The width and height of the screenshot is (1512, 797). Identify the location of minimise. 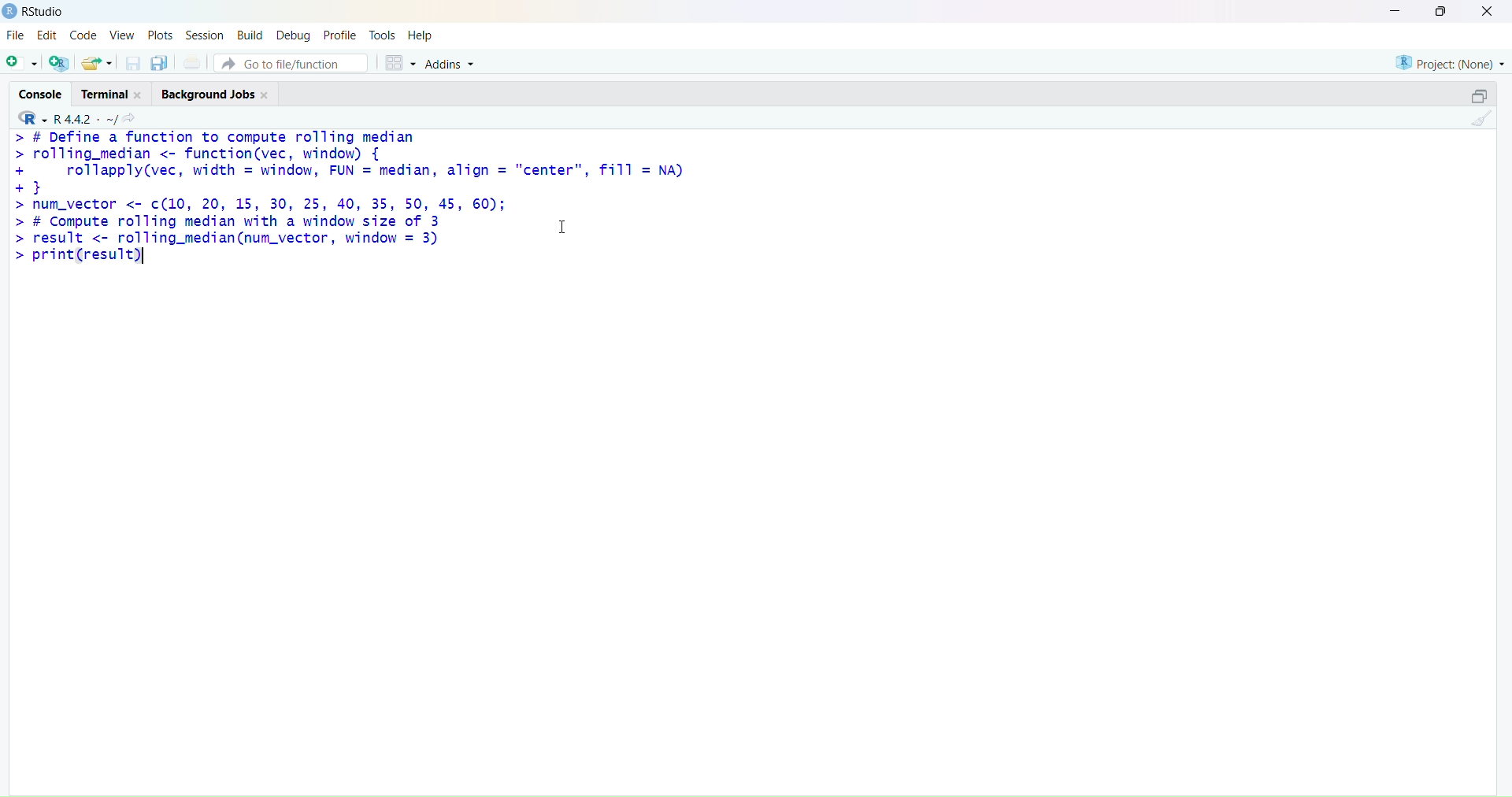
(1395, 9).